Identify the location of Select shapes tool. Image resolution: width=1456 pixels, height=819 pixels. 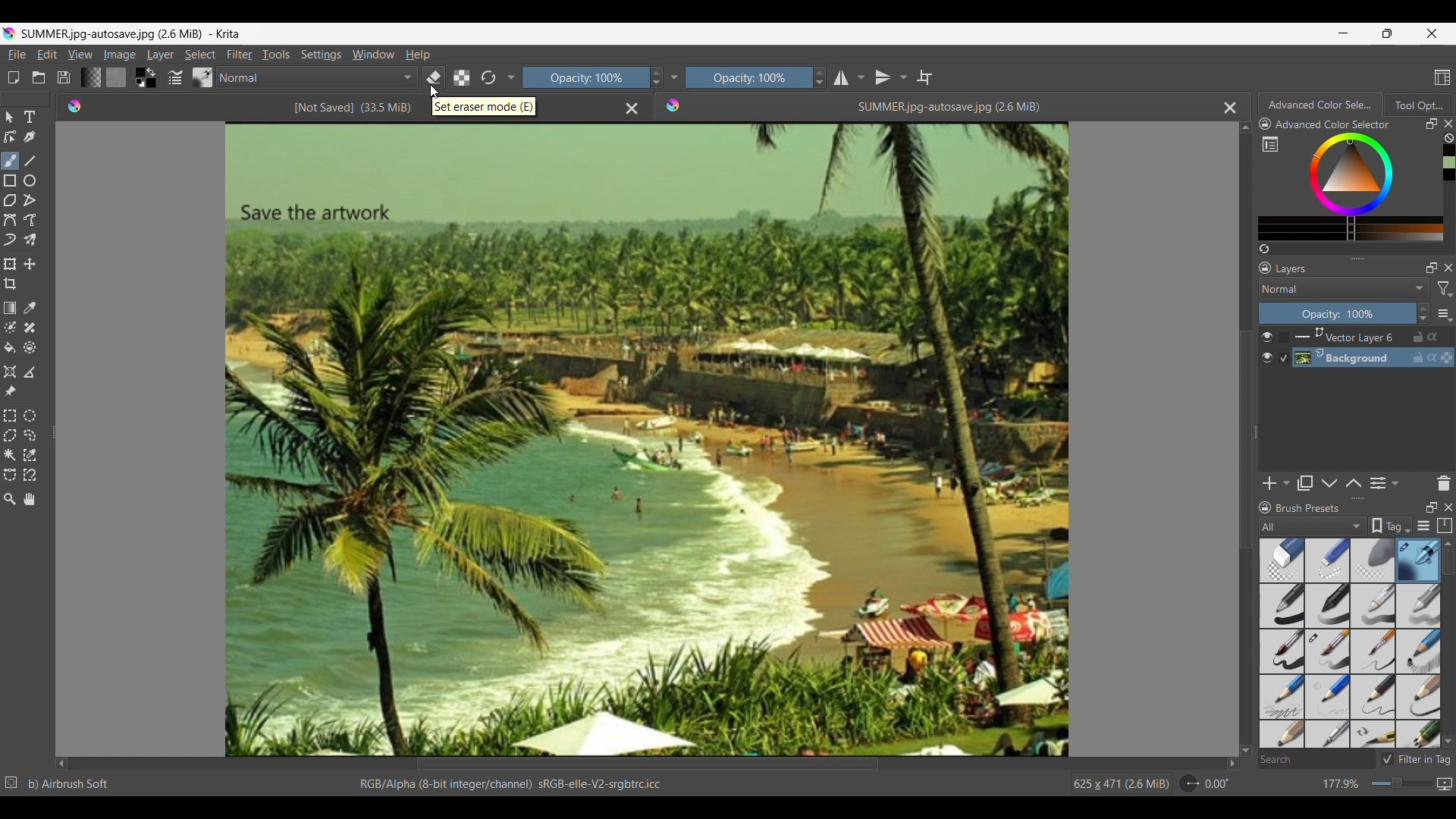
(9, 118).